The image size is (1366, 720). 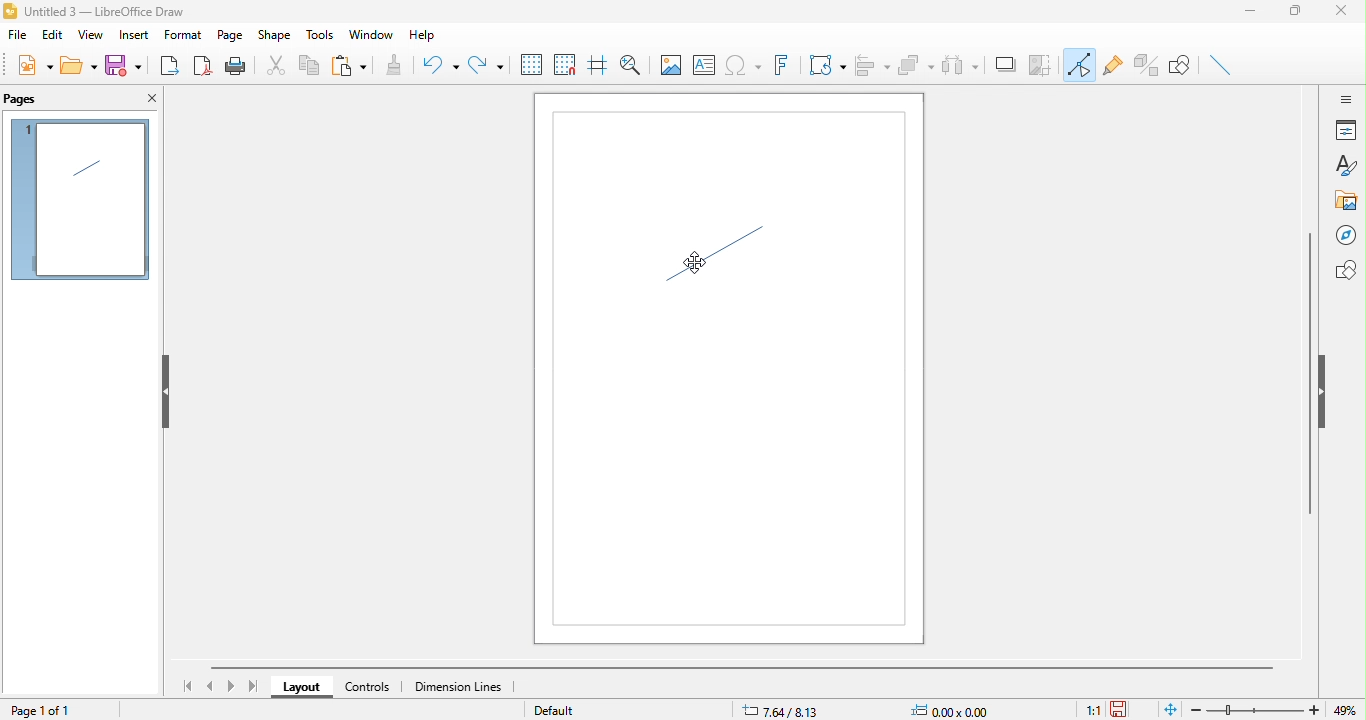 I want to click on view, so click(x=88, y=38).